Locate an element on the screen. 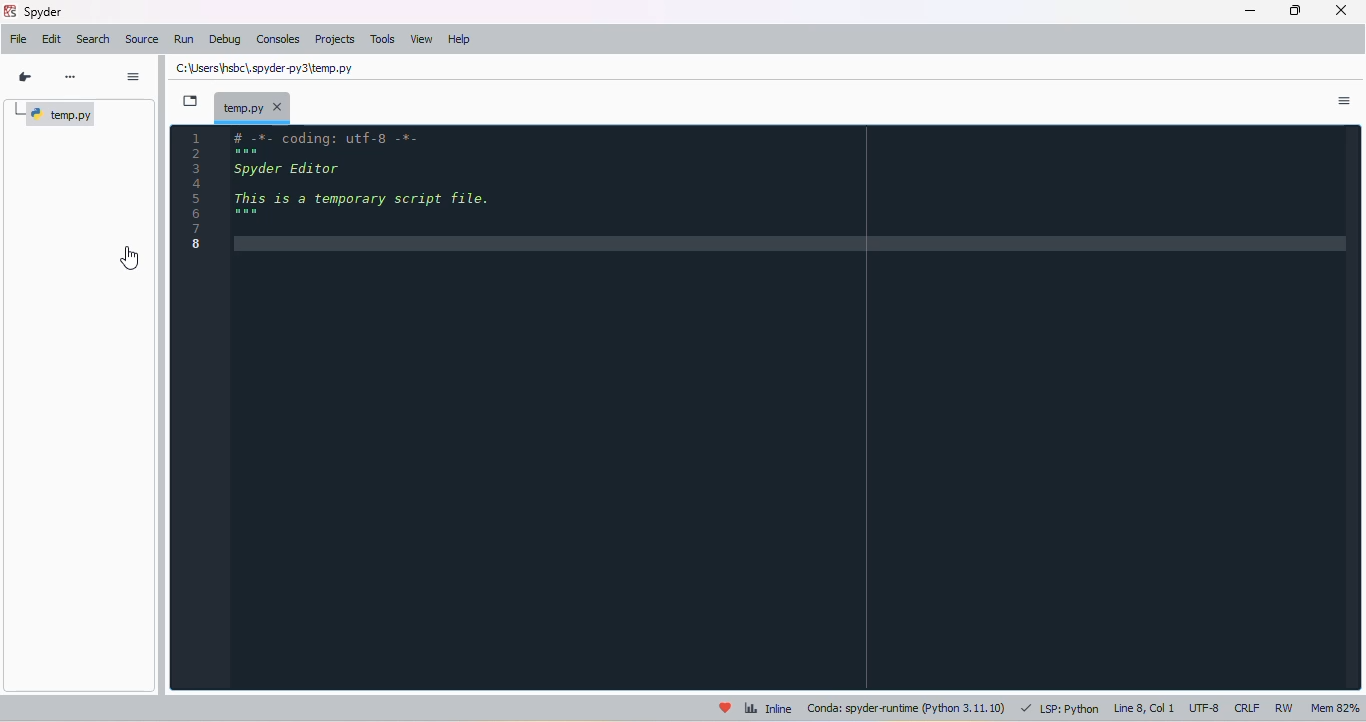 Image resolution: width=1366 pixels, height=722 pixels. help is located at coordinates (460, 39).